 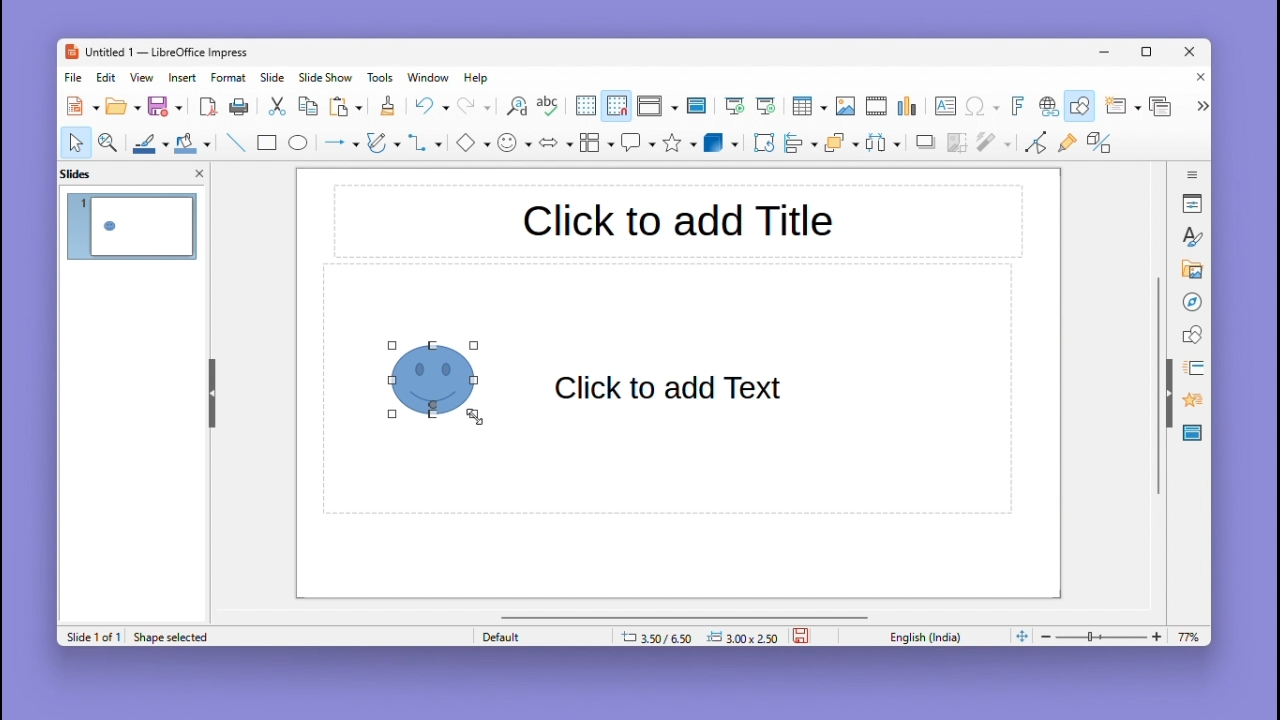 What do you see at coordinates (108, 77) in the screenshot?
I see `Edit` at bounding box center [108, 77].